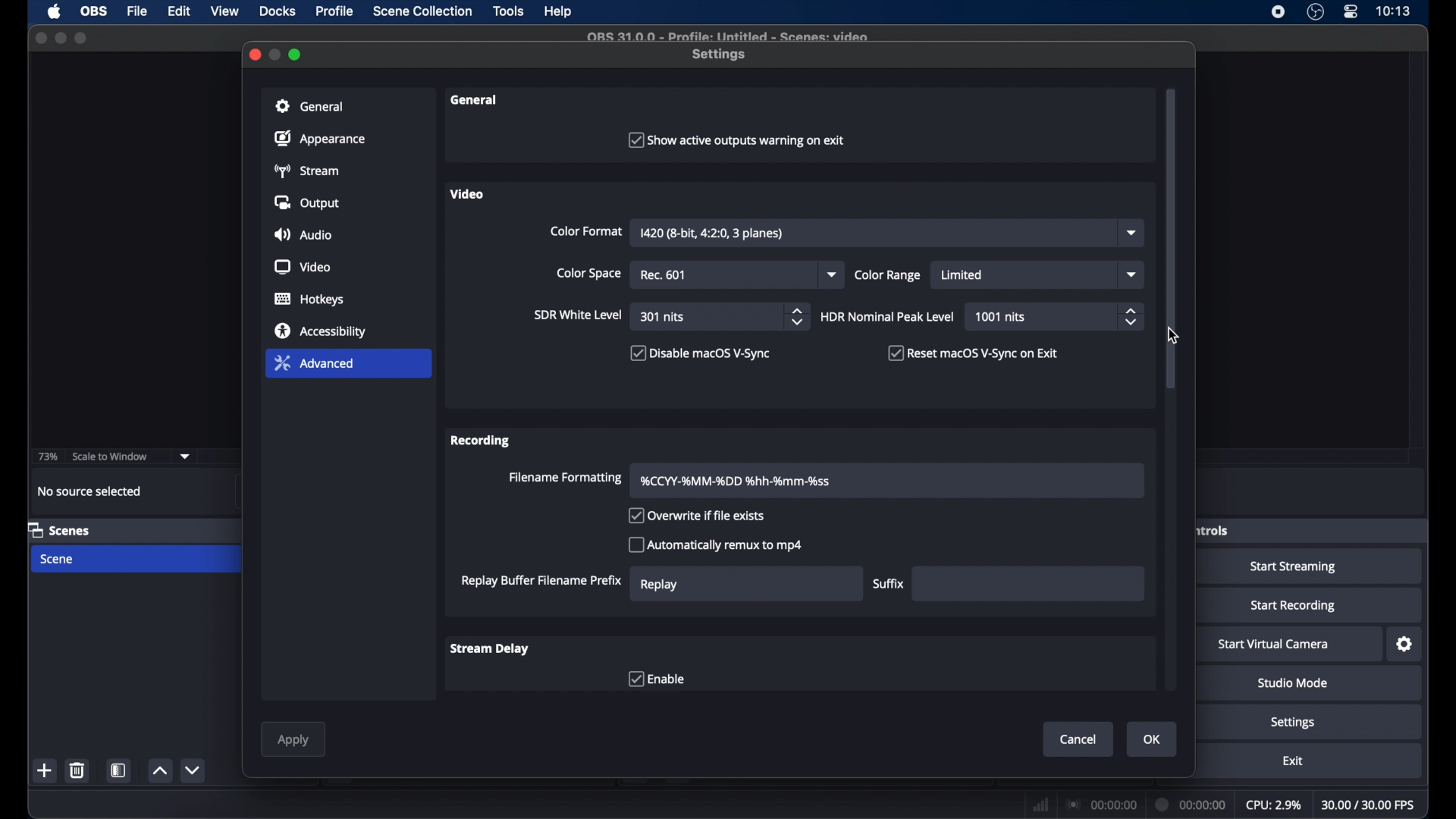  I want to click on color space, so click(588, 273).